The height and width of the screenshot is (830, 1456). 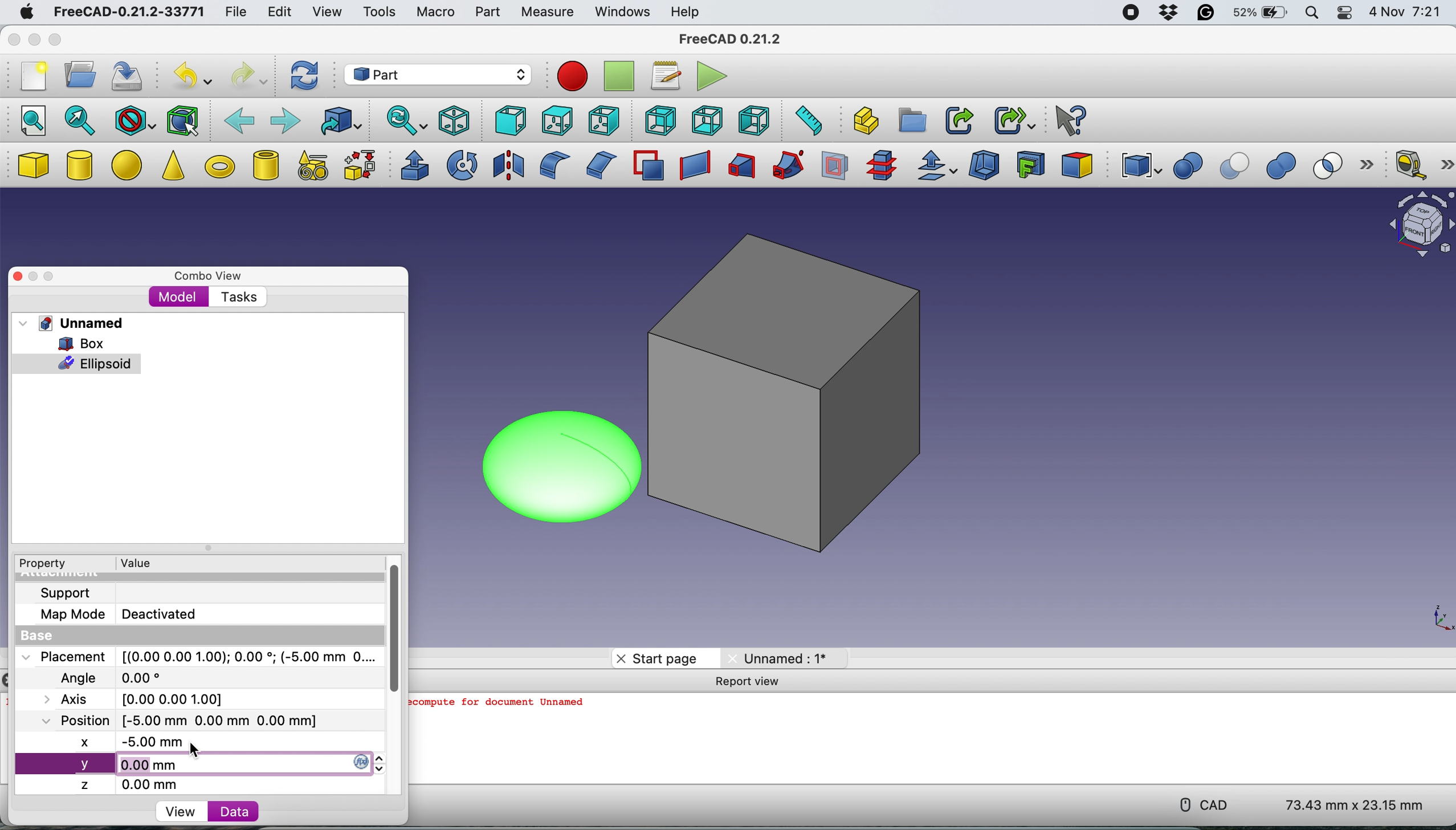 What do you see at coordinates (1166, 13) in the screenshot?
I see `dropbox` at bounding box center [1166, 13].